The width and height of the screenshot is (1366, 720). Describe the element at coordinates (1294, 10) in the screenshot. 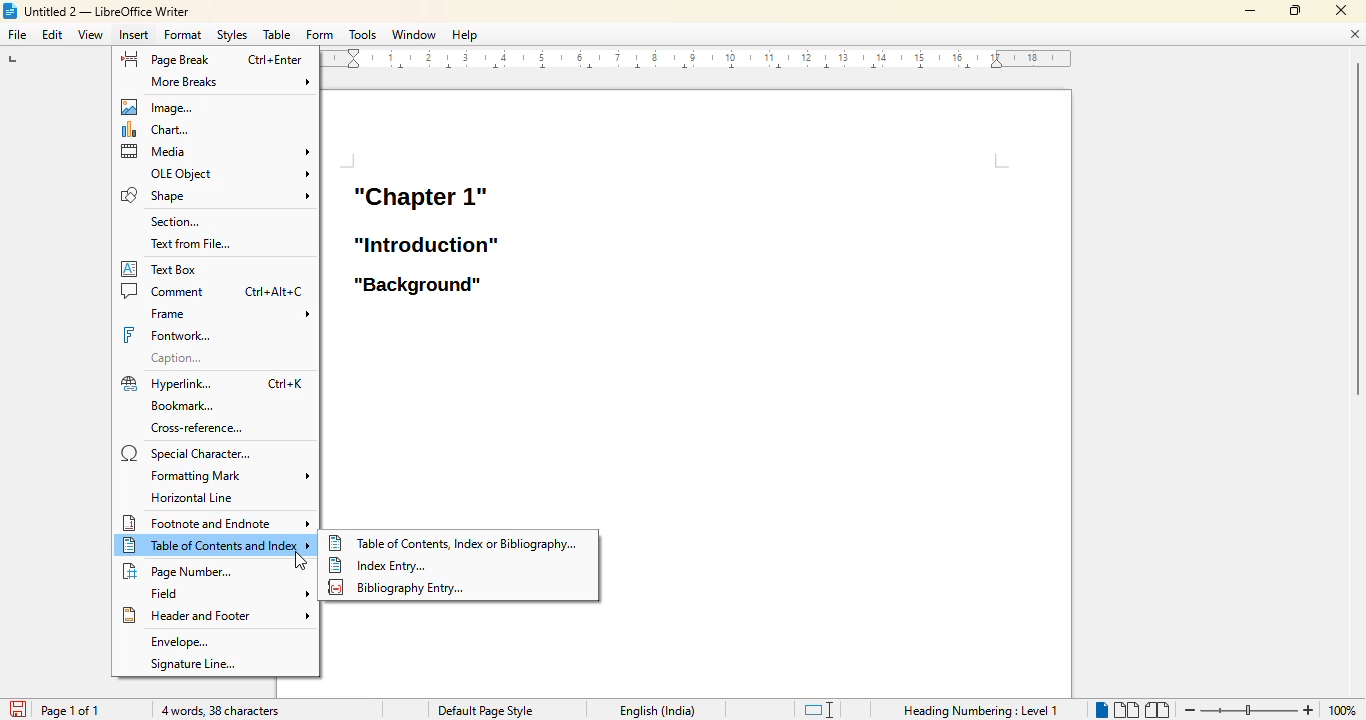

I see `maximize` at that location.